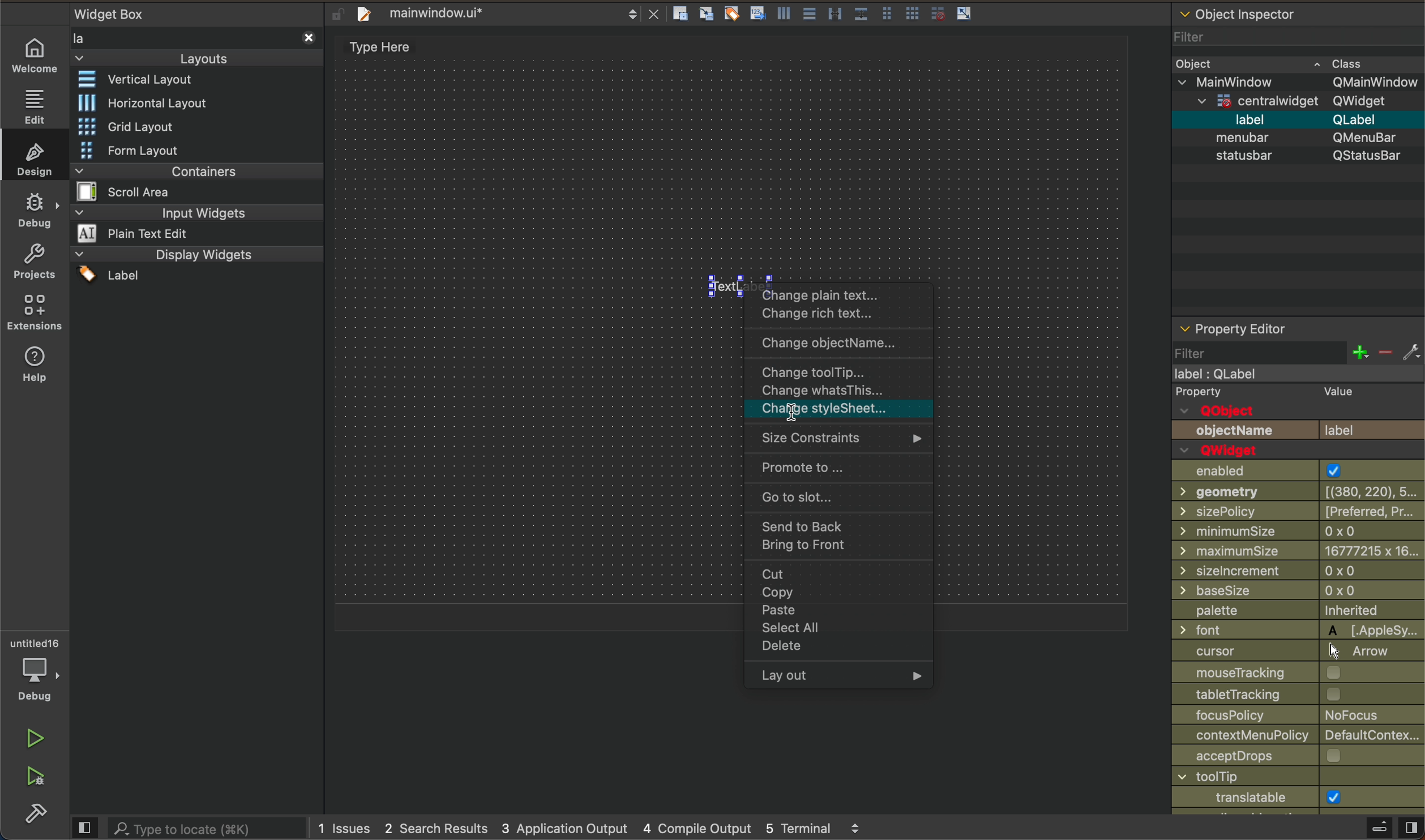  Describe the element at coordinates (1304, 136) in the screenshot. I see `menbar` at that location.